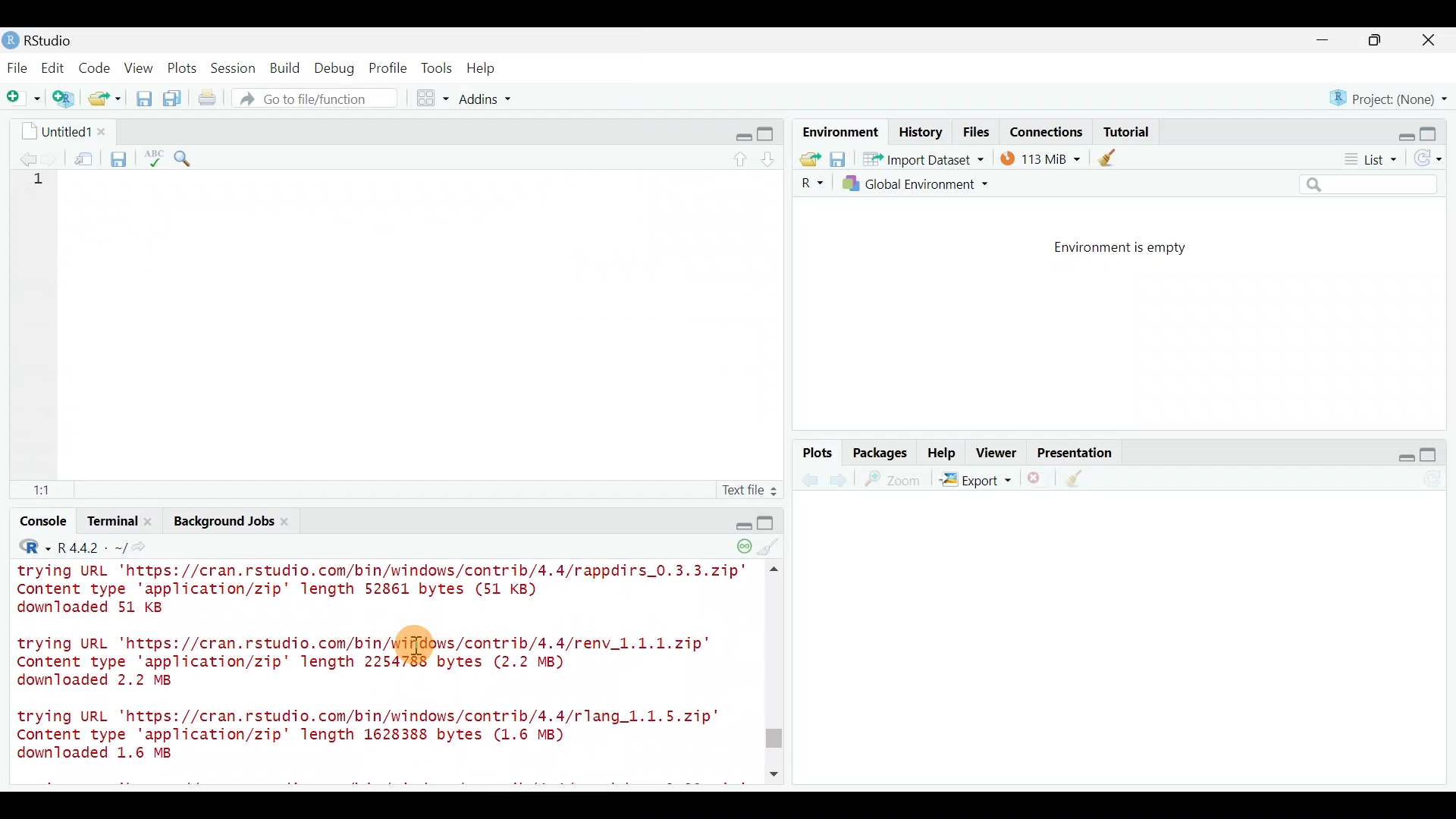 This screenshot has height=819, width=1456. I want to click on maximize, so click(1379, 39).